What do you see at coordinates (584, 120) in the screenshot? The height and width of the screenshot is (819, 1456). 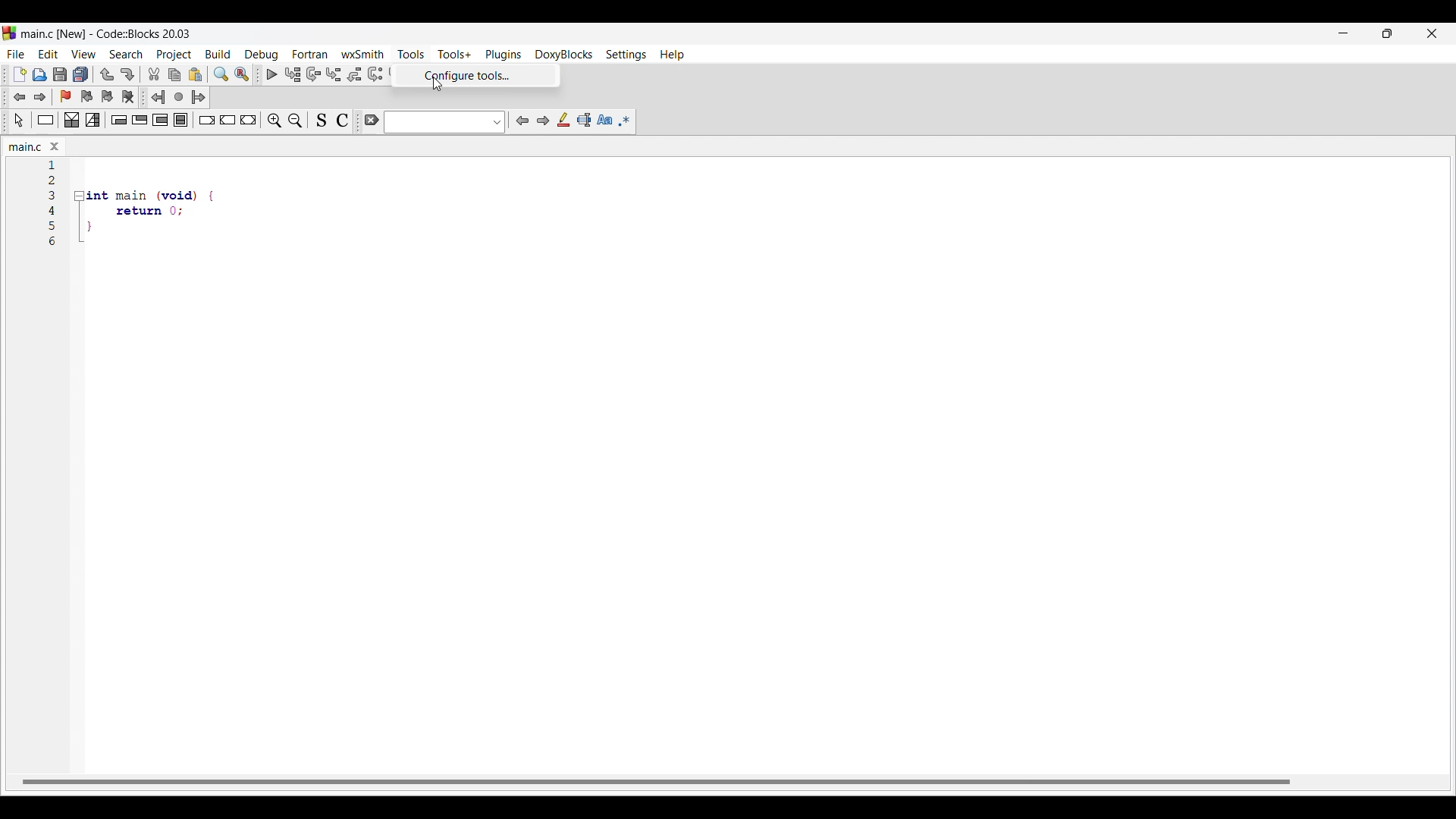 I see `Select text` at bounding box center [584, 120].